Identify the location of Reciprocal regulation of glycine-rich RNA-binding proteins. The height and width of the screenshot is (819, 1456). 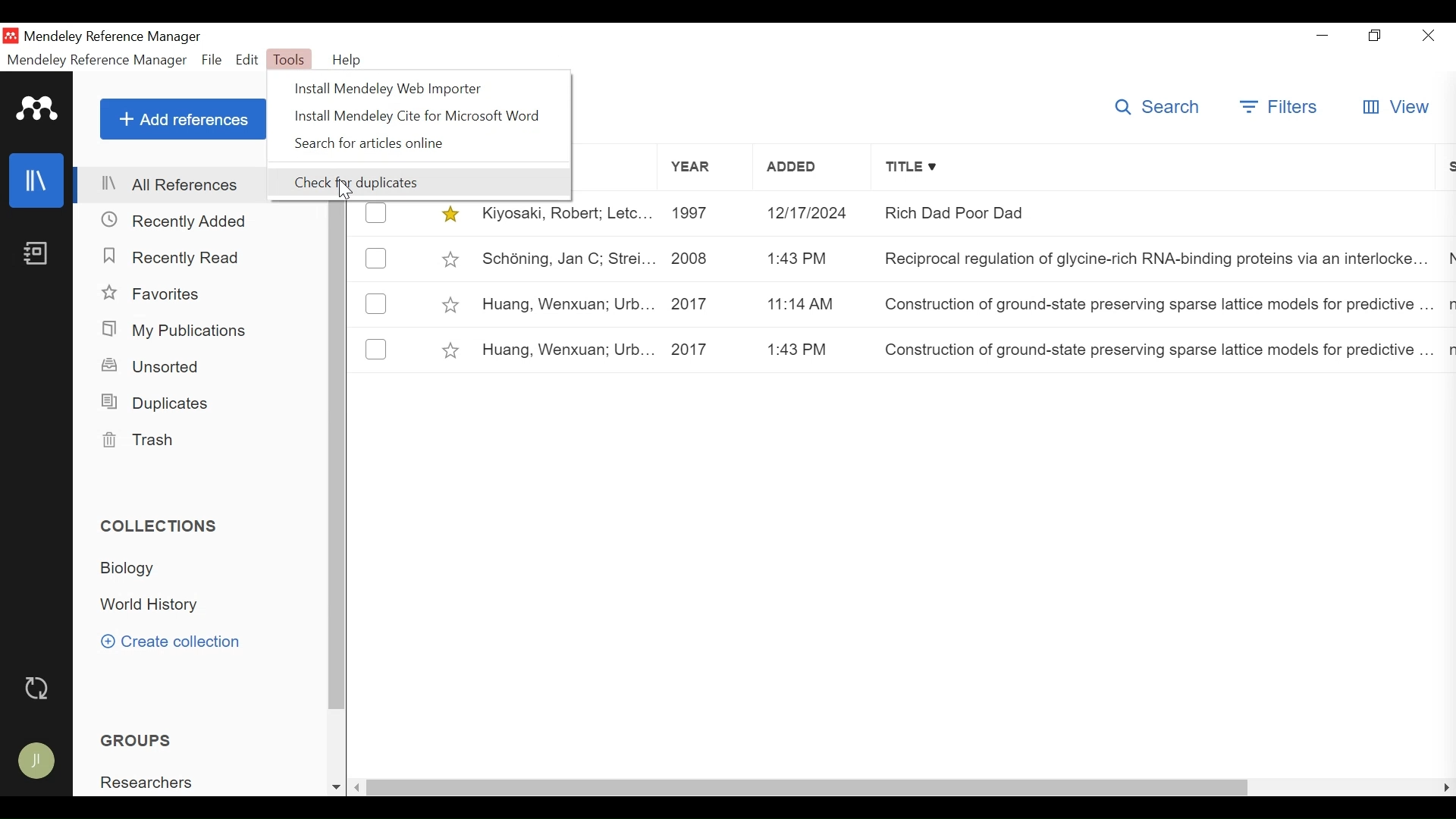
(1154, 259).